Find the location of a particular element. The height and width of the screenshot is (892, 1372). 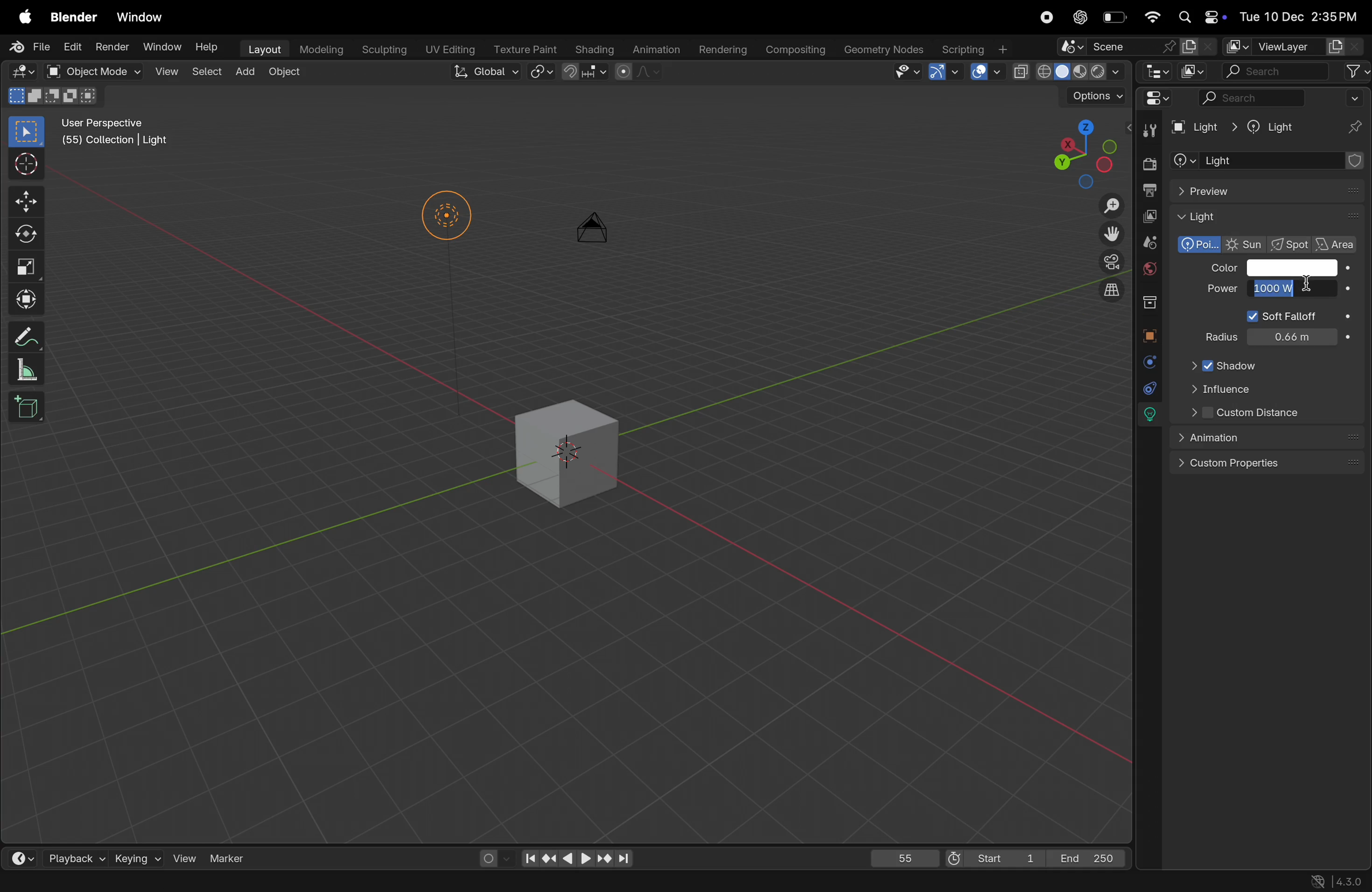

compsing is located at coordinates (800, 48).